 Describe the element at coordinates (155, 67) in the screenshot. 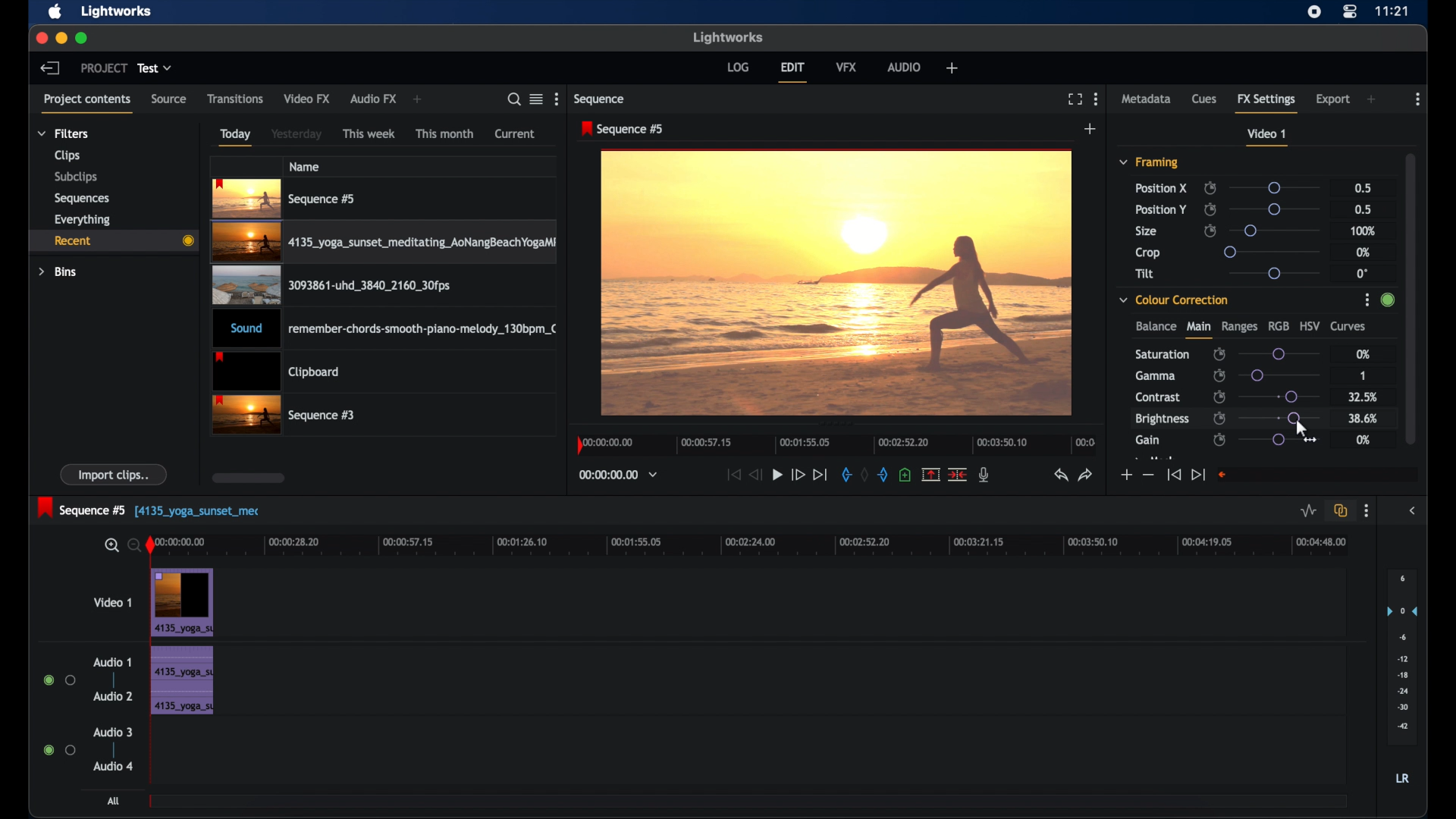

I see `test dropdown` at that location.